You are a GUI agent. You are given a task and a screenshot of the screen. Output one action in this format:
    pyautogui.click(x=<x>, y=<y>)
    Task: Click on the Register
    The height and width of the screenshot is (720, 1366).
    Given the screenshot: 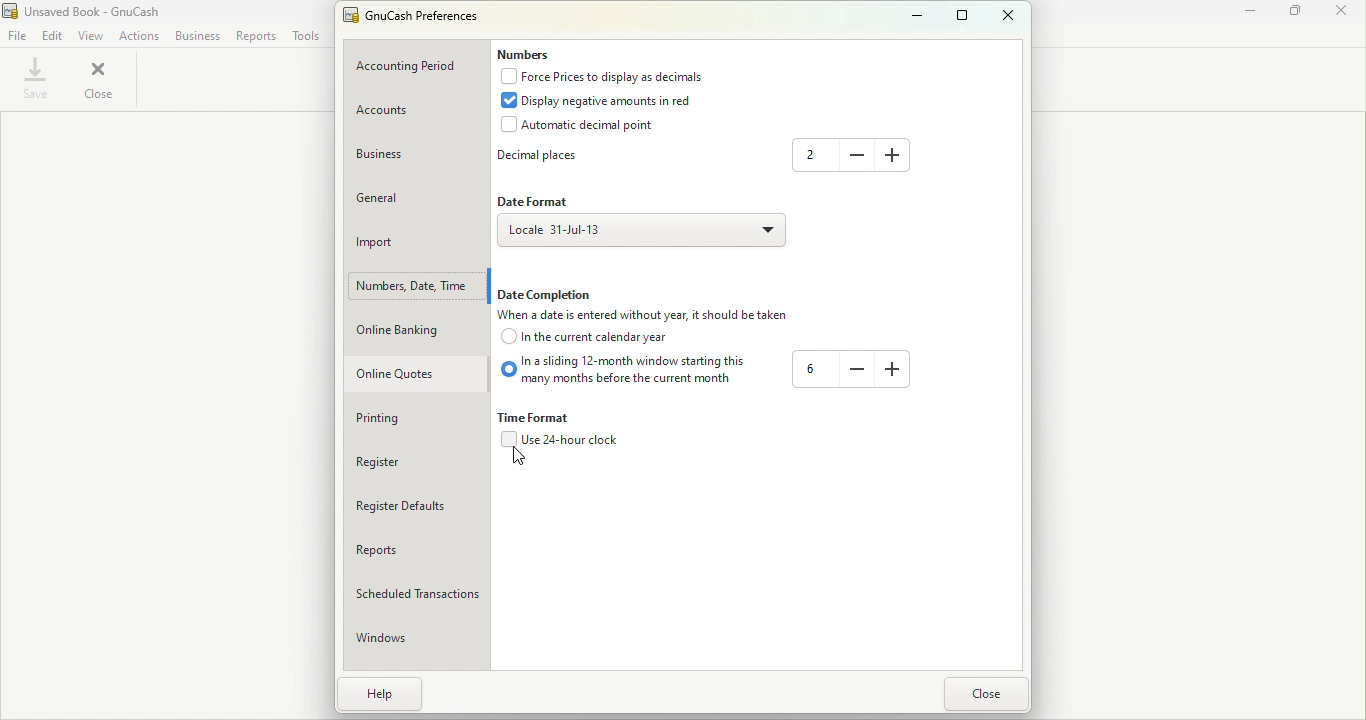 What is the action you would take?
    pyautogui.click(x=404, y=460)
    